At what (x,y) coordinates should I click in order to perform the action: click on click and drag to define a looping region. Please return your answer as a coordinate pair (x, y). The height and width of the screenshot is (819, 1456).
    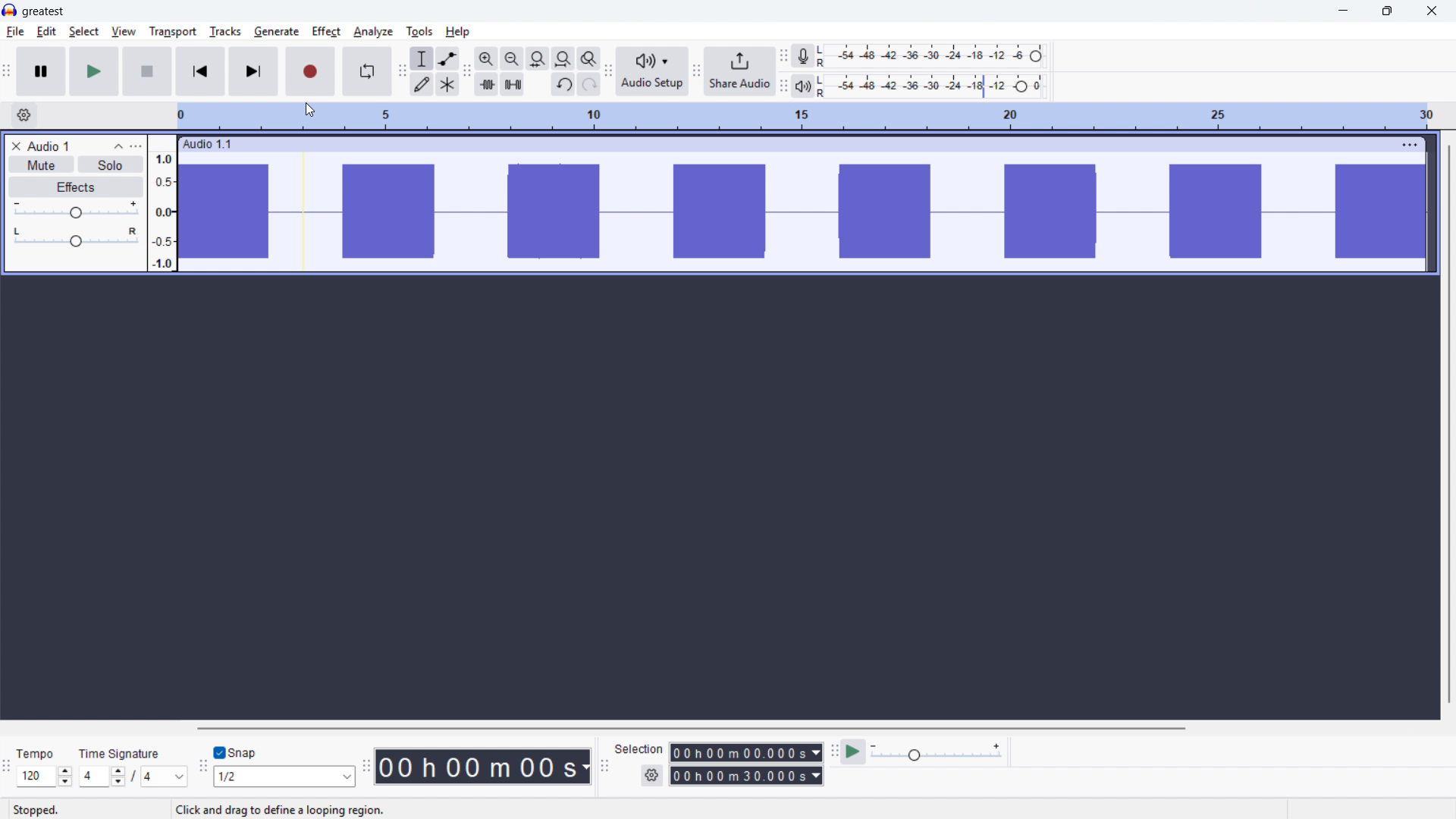
    Looking at the image, I should click on (281, 810).